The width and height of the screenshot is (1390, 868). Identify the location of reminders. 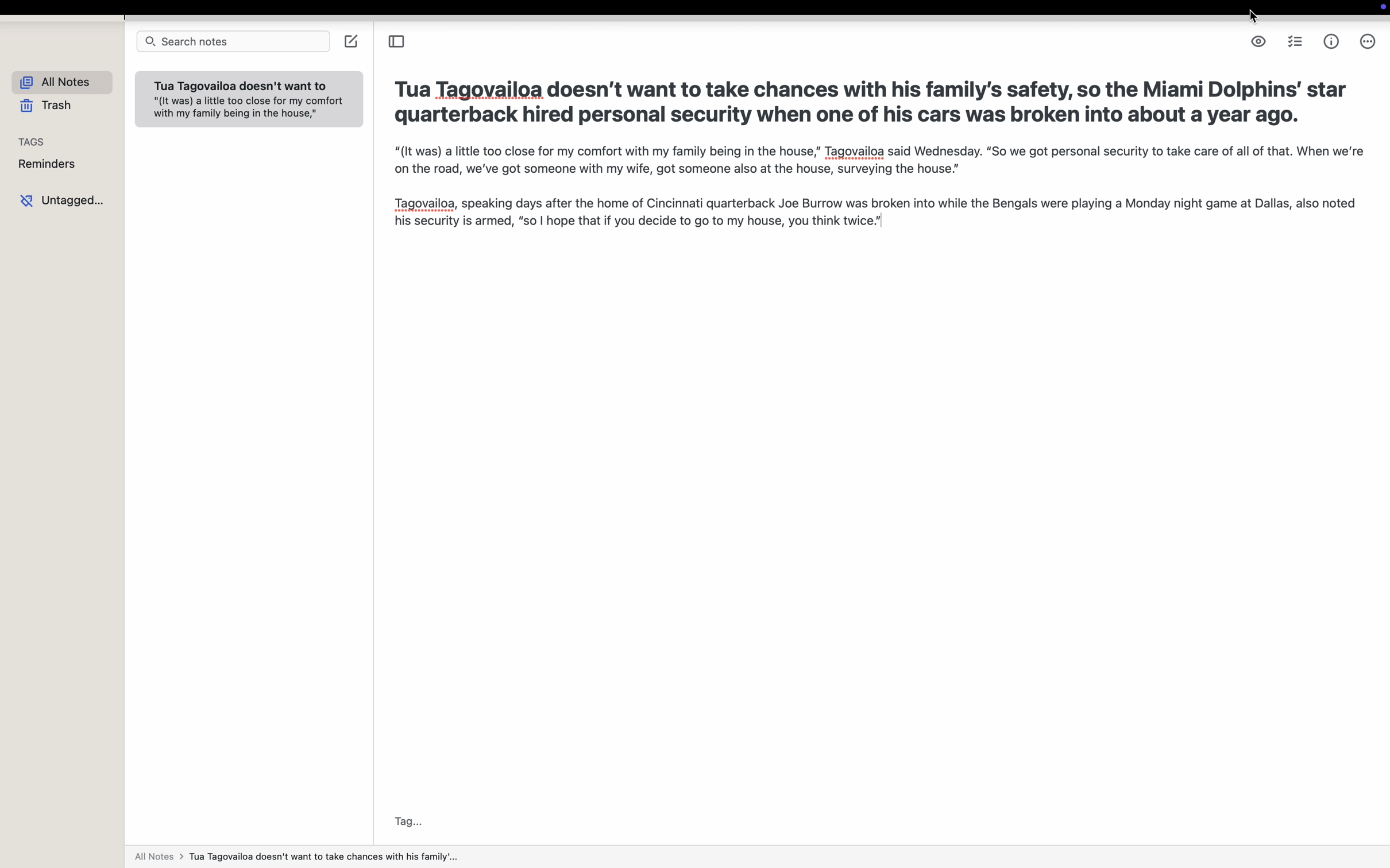
(48, 165).